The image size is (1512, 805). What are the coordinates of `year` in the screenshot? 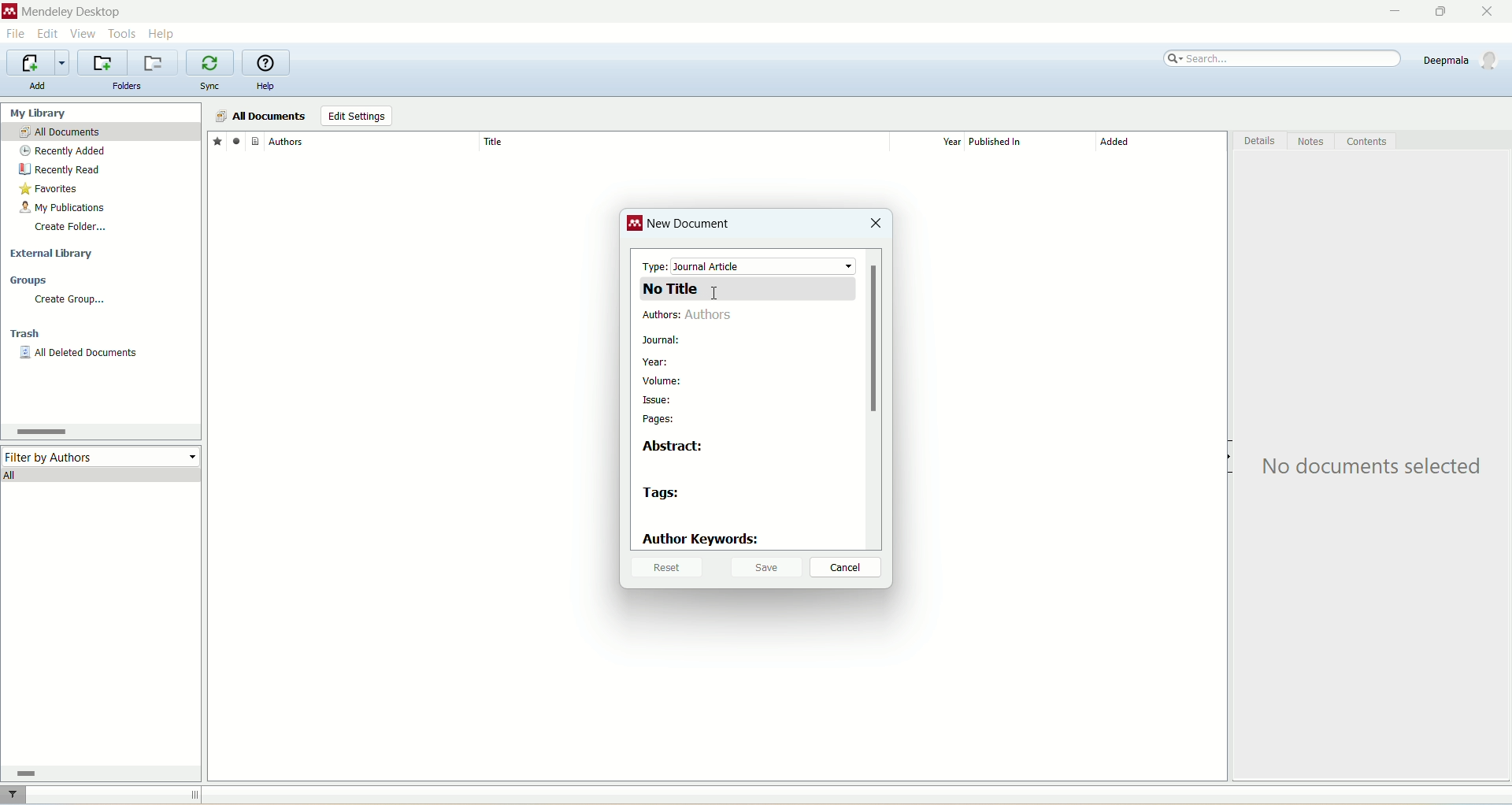 It's located at (932, 142).